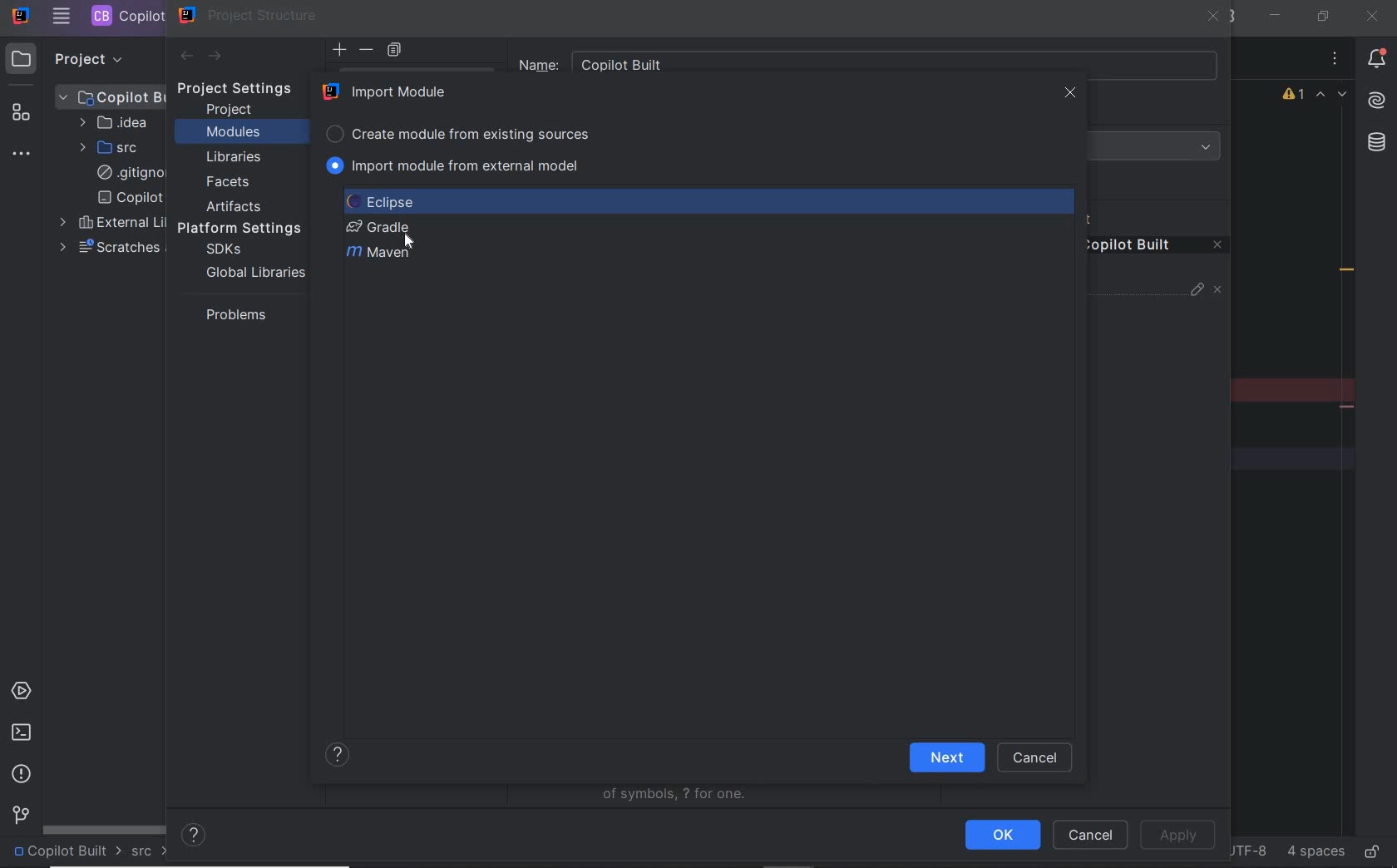  Describe the element at coordinates (1276, 16) in the screenshot. I see `minimize` at that location.